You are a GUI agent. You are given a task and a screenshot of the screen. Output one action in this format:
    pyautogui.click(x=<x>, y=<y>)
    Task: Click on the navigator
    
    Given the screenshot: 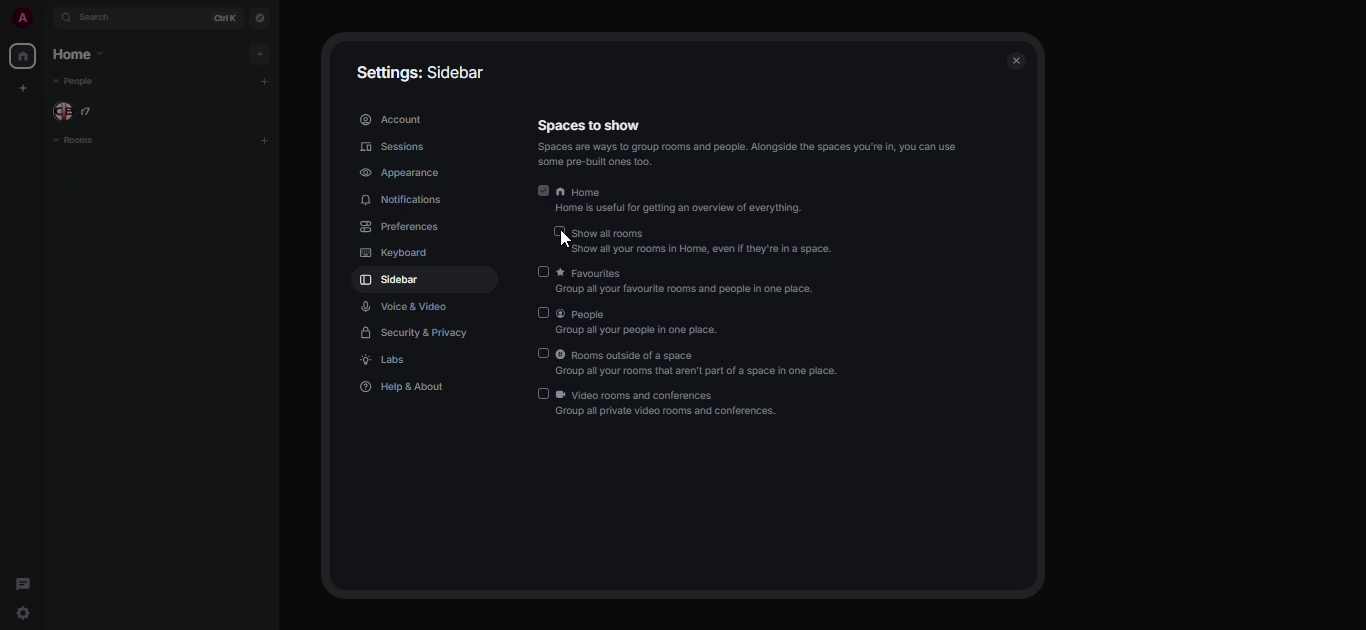 What is the action you would take?
    pyautogui.click(x=261, y=18)
    